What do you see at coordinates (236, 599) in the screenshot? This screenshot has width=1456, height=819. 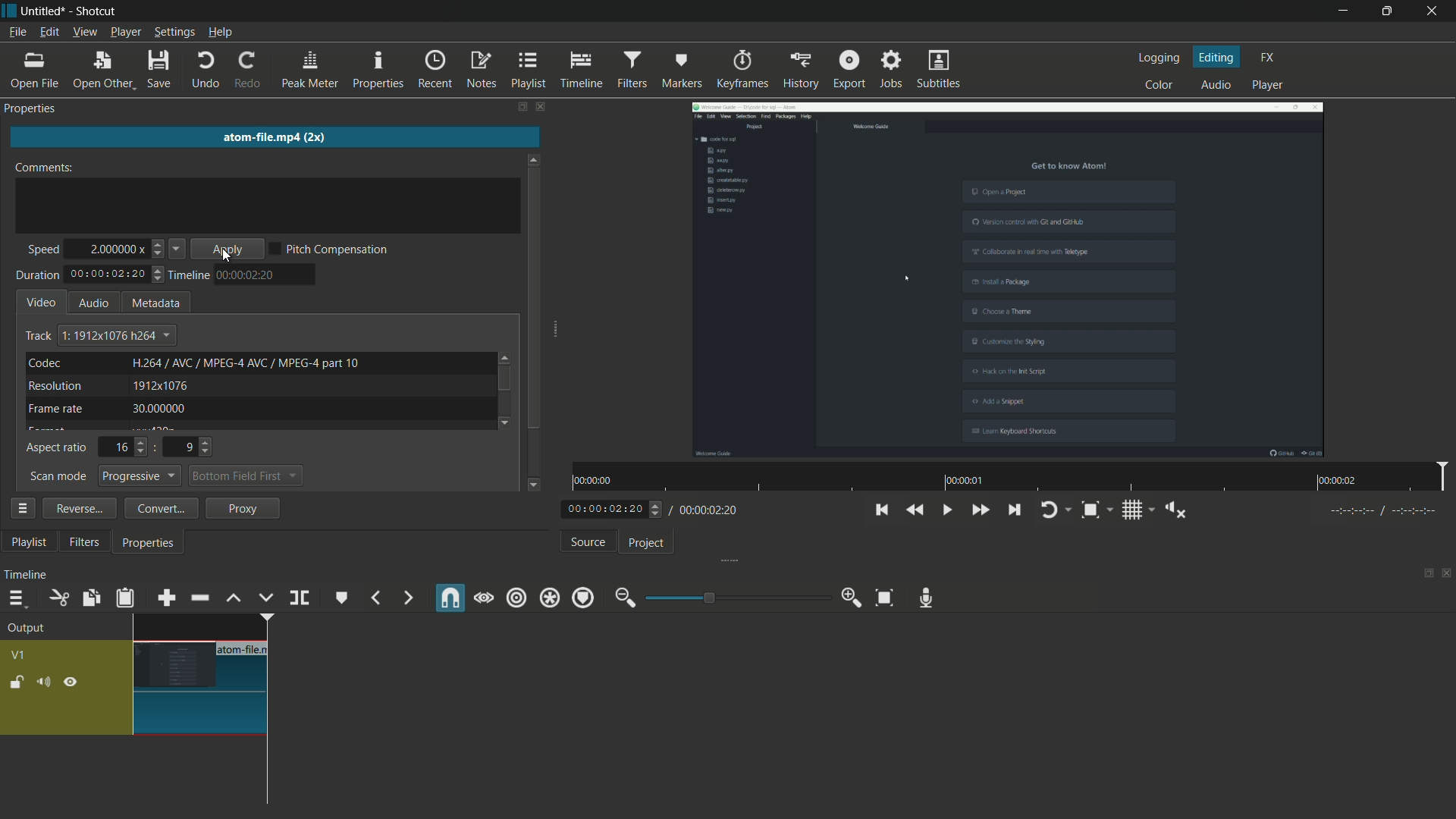 I see `lift` at bounding box center [236, 599].